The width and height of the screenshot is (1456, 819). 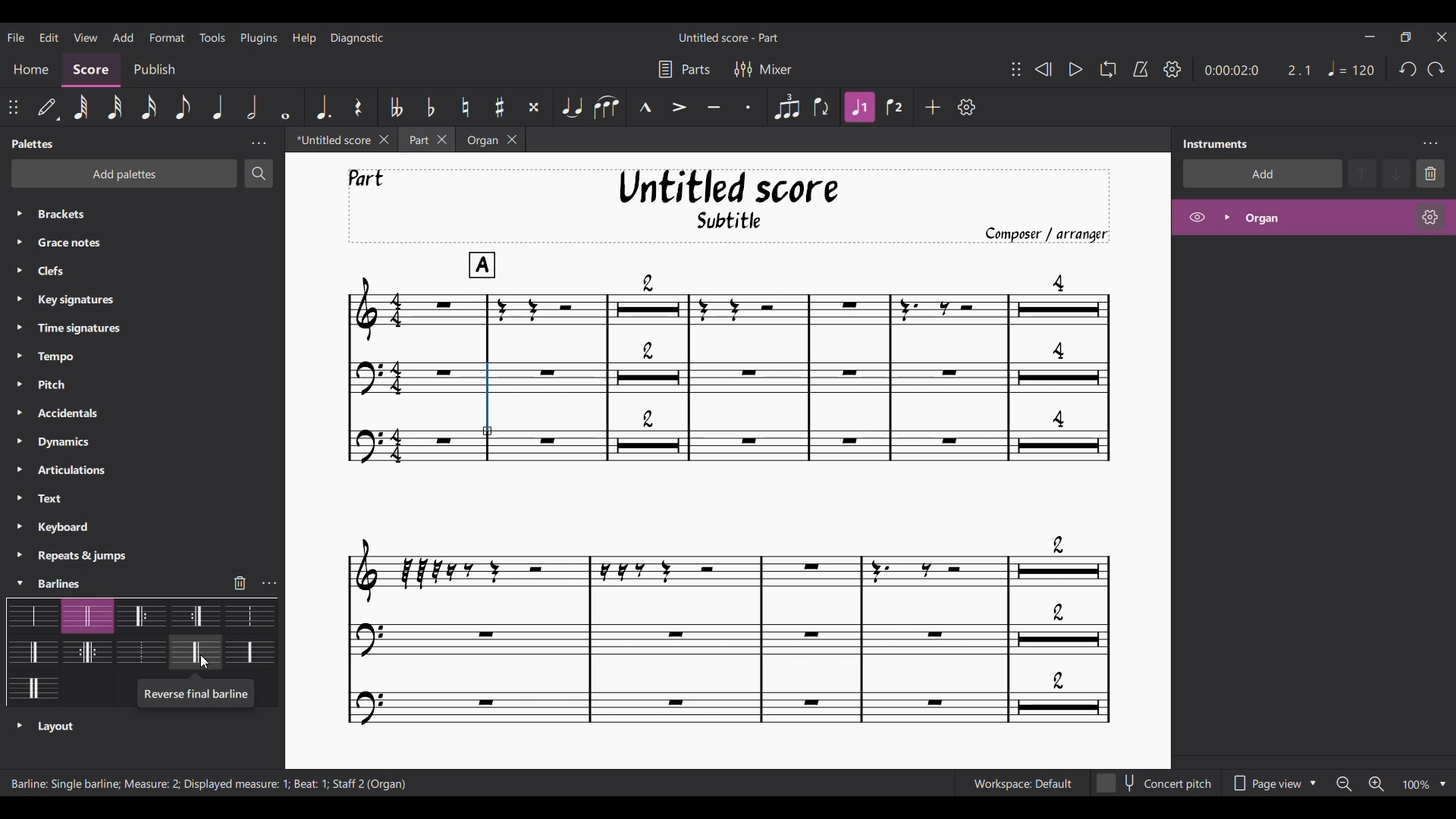 I want to click on Close Part tab, so click(x=442, y=140).